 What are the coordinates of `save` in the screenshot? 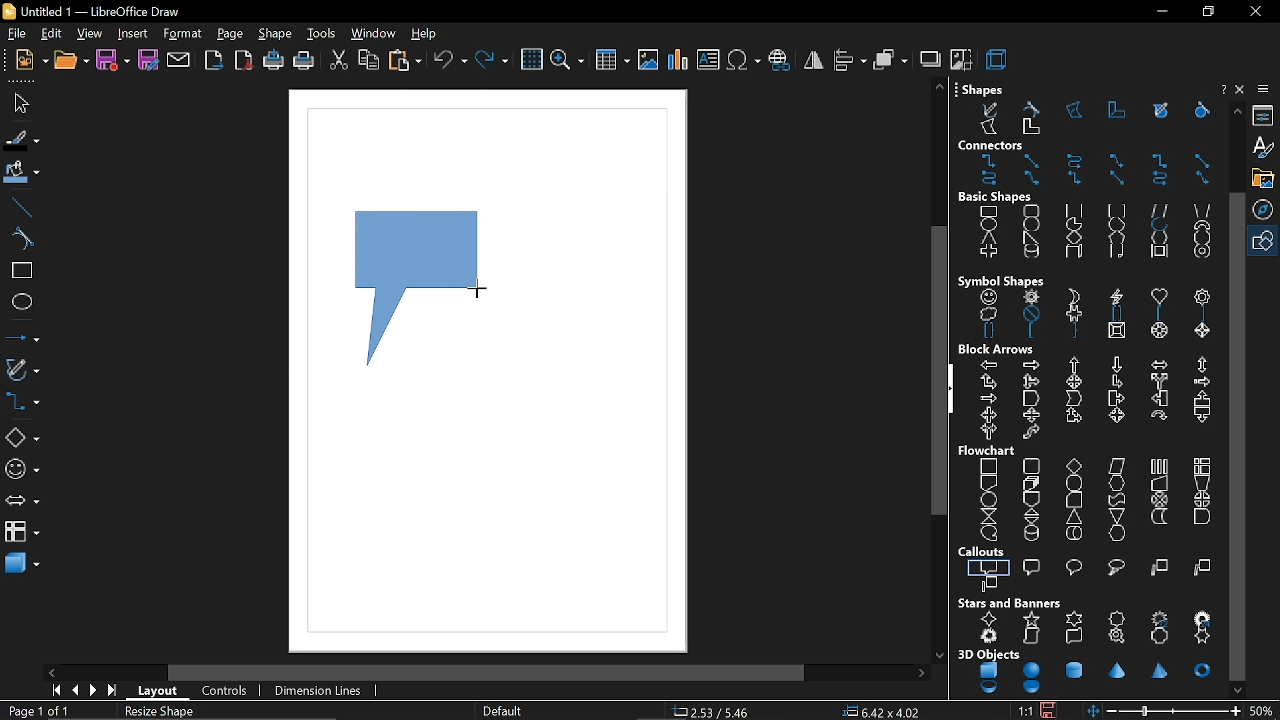 It's located at (1050, 710).